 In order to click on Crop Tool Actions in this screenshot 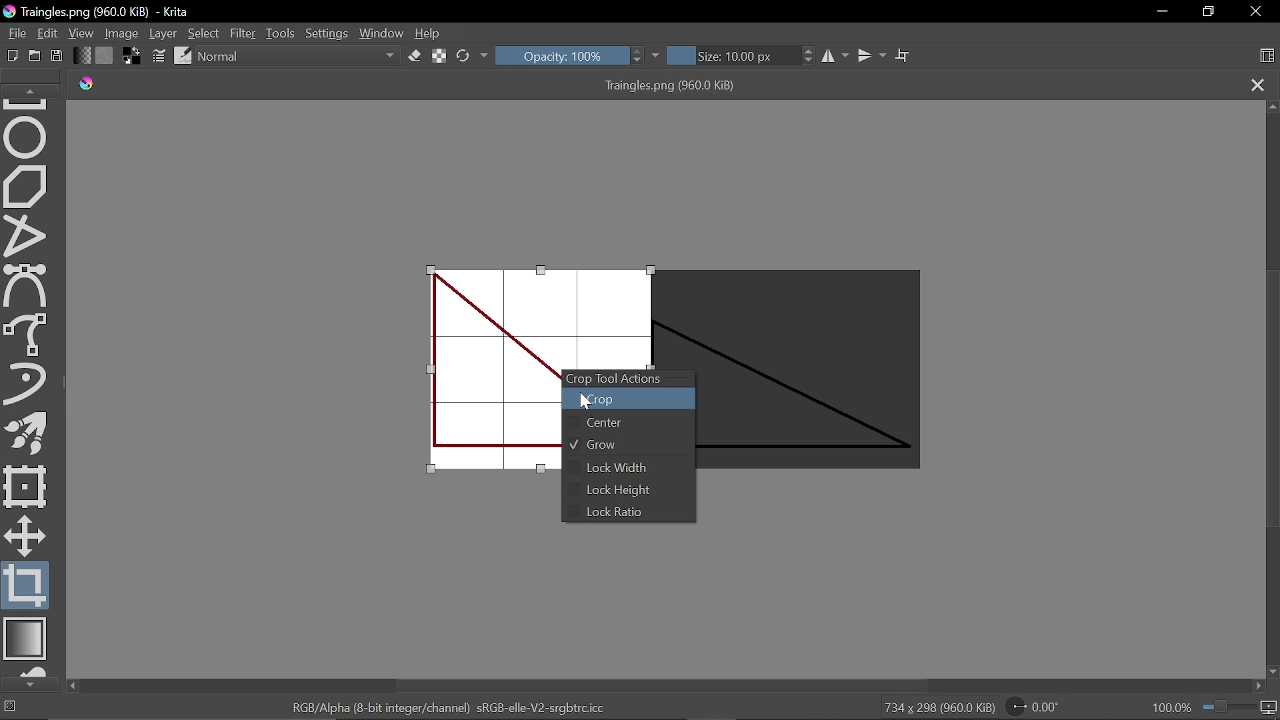, I will do `click(626, 378)`.